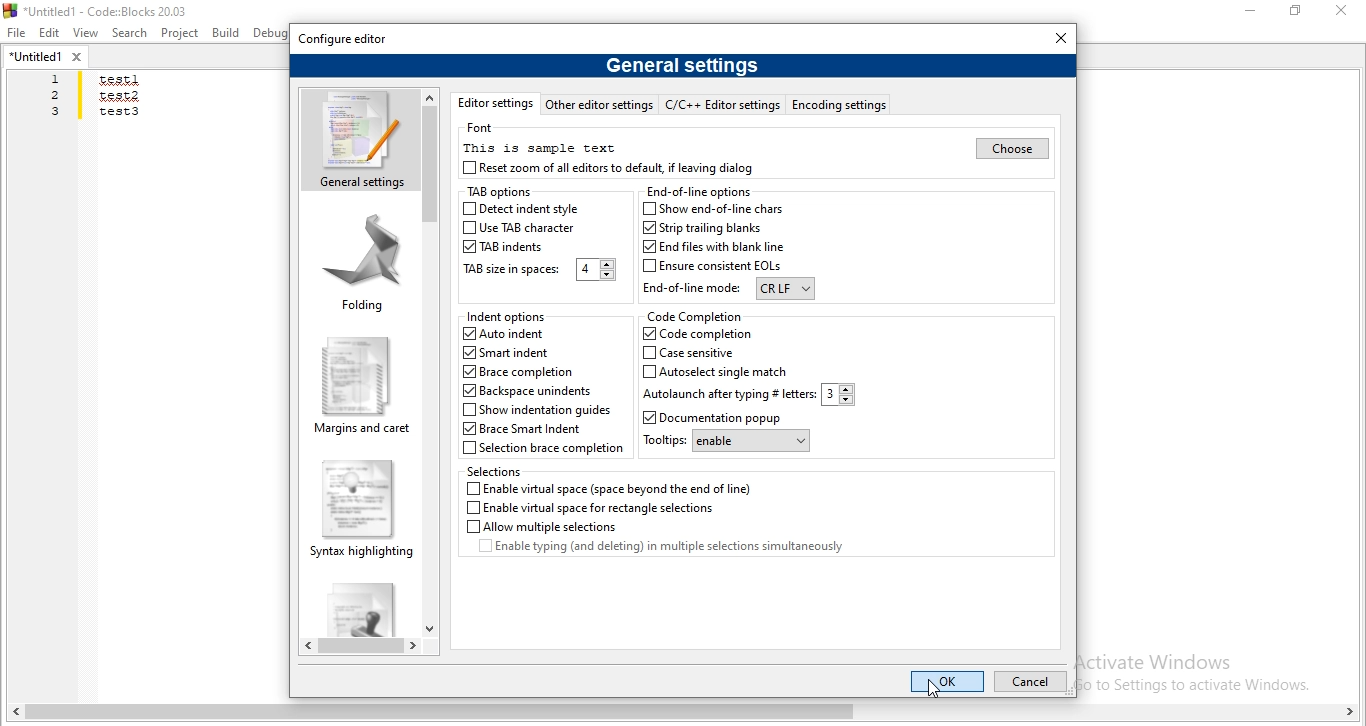 The width and height of the screenshot is (1366, 726). I want to click on Search , so click(130, 34).